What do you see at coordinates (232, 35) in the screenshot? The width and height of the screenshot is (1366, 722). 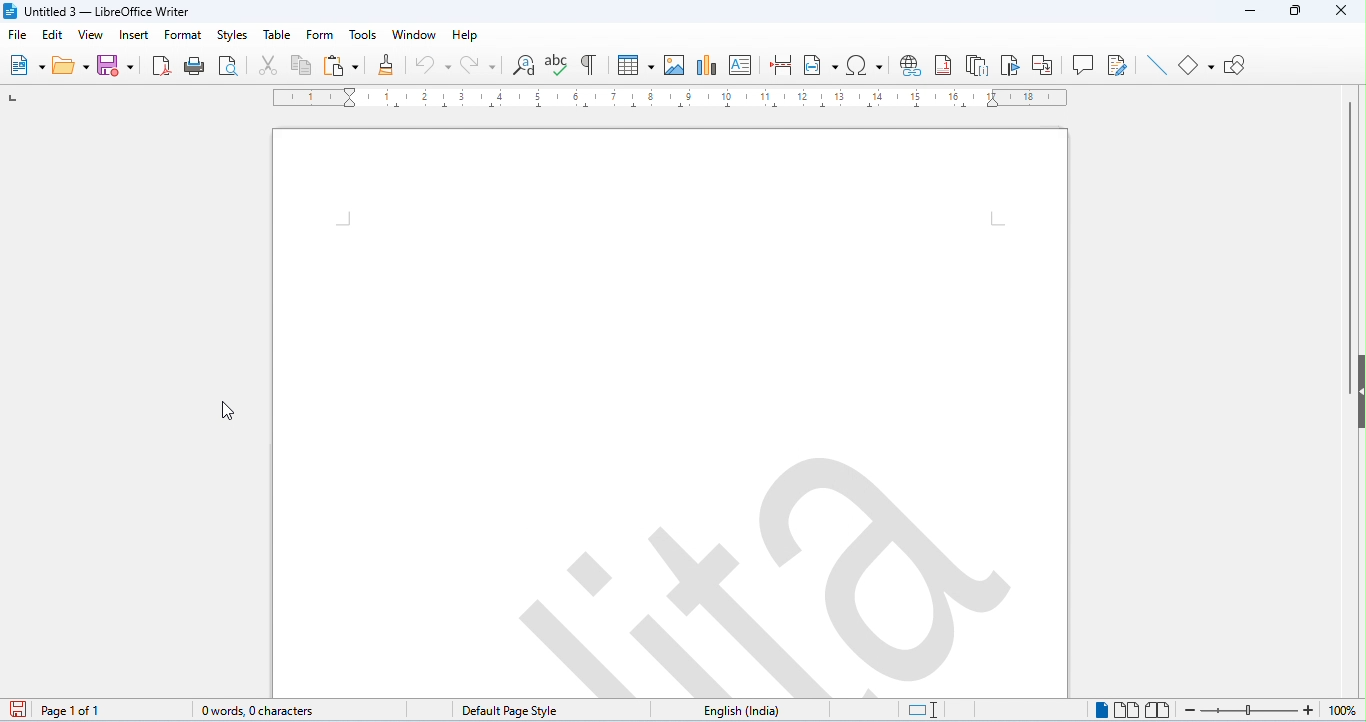 I see `styles` at bounding box center [232, 35].